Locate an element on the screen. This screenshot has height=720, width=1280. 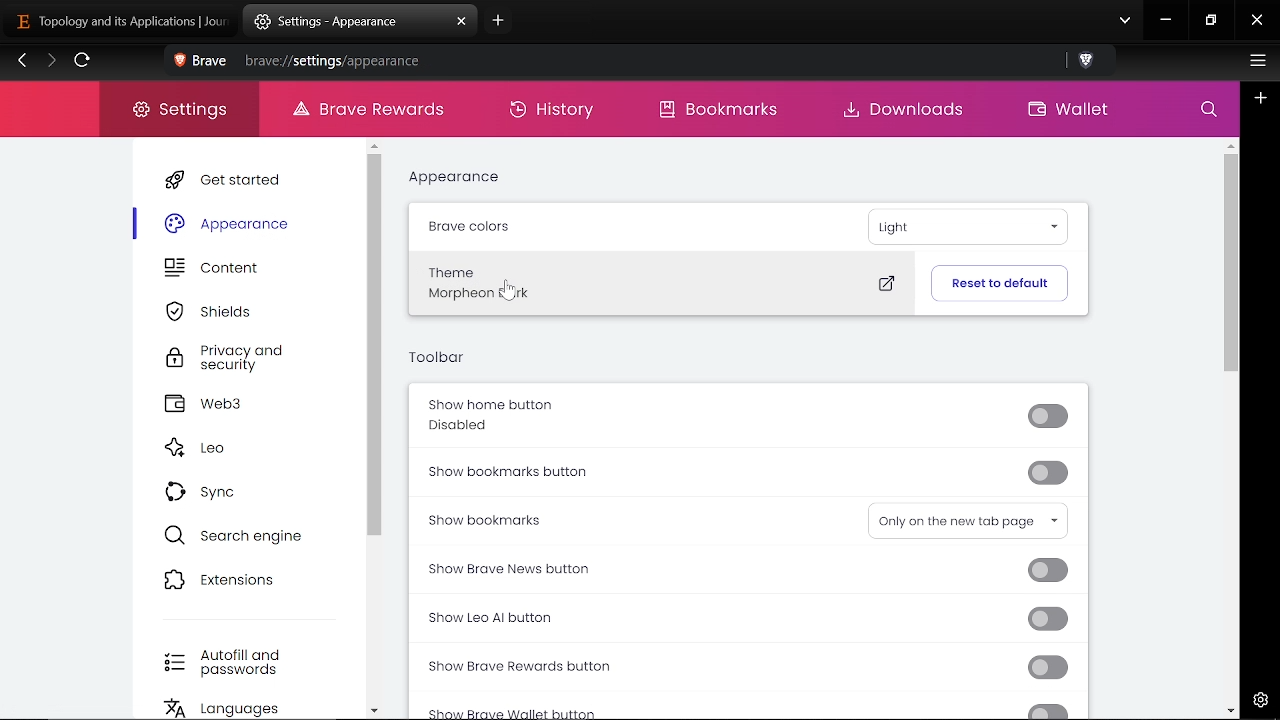
Show brave wallet button is located at coordinates (758, 709).